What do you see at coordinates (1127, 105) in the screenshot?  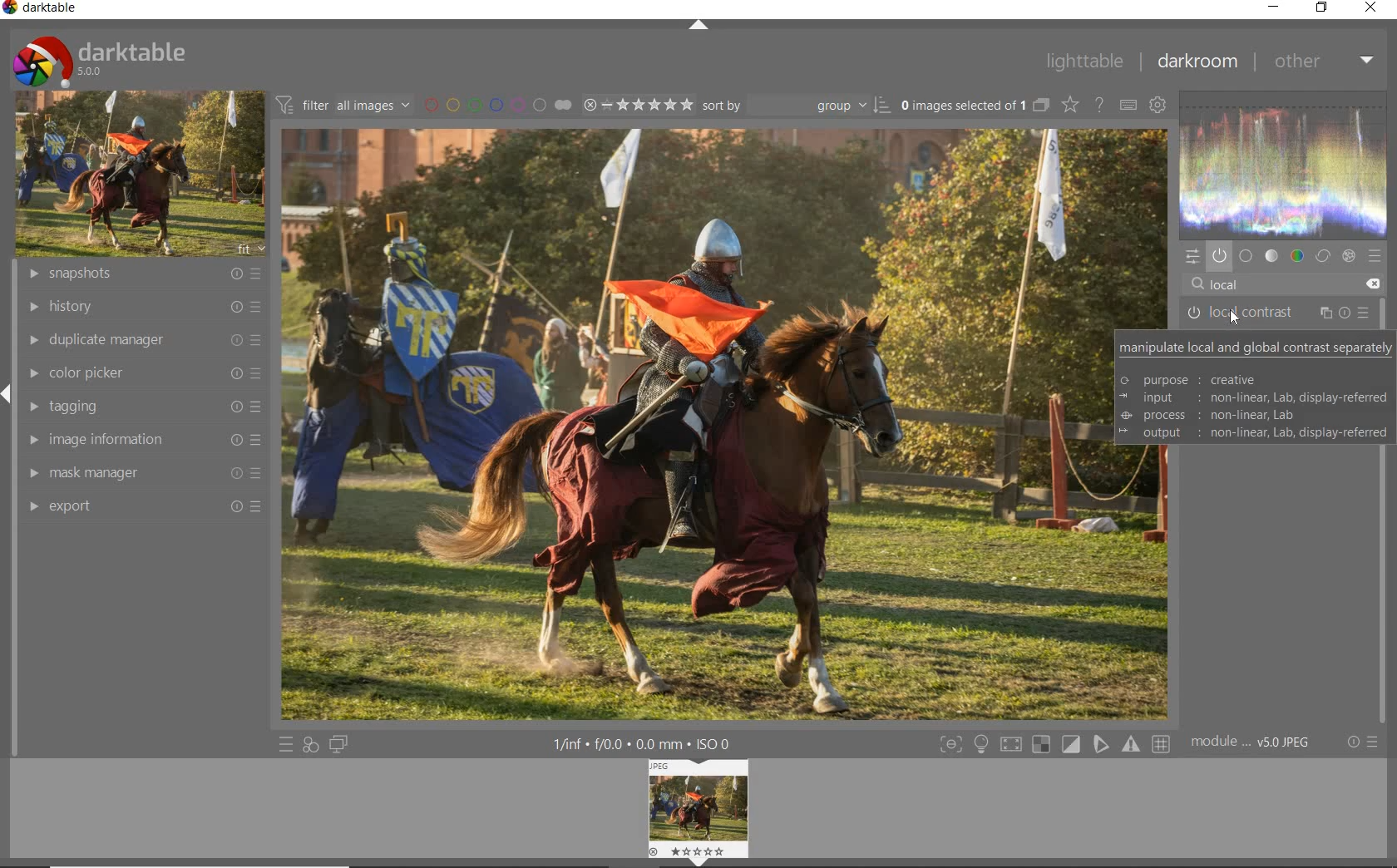 I see `define keyboard shortcuts` at bounding box center [1127, 105].